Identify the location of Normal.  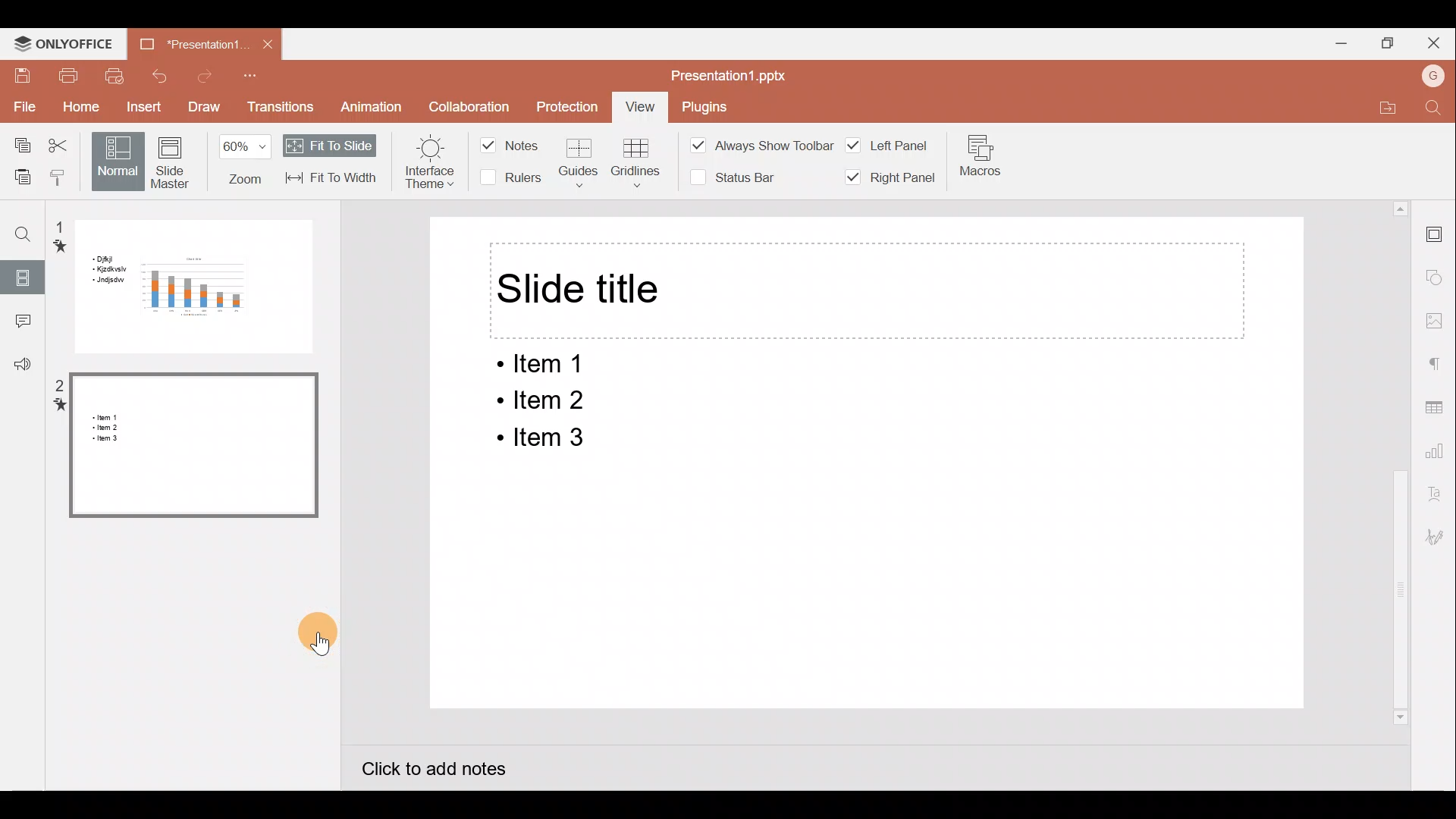
(117, 162).